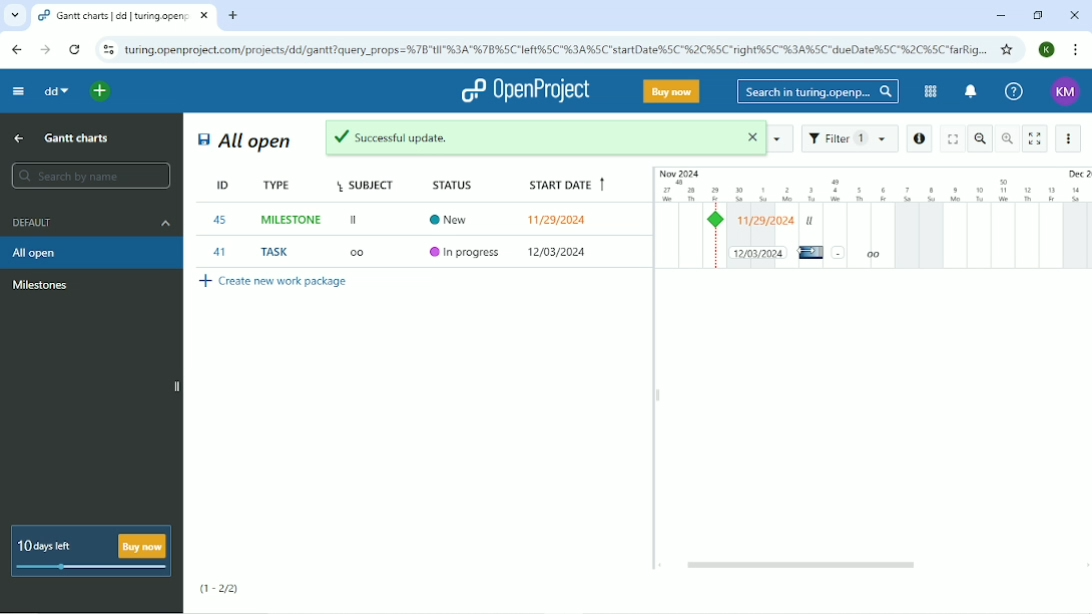 The width and height of the screenshot is (1092, 614). Describe the element at coordinates (547, 138) in the screenshot. I see `Successful update.` at that location.